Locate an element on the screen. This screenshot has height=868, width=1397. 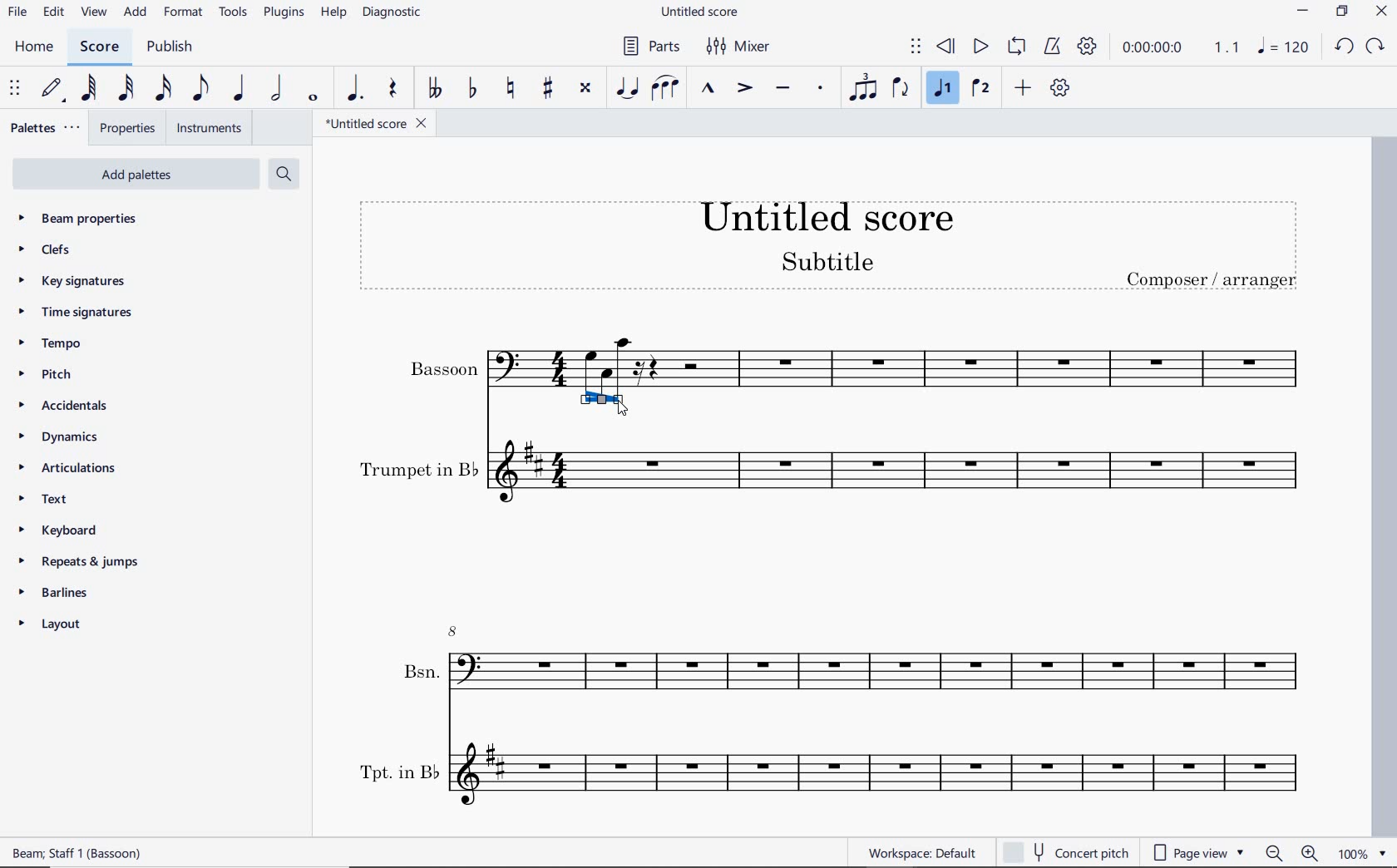
add is located at coordinates (135, 12).